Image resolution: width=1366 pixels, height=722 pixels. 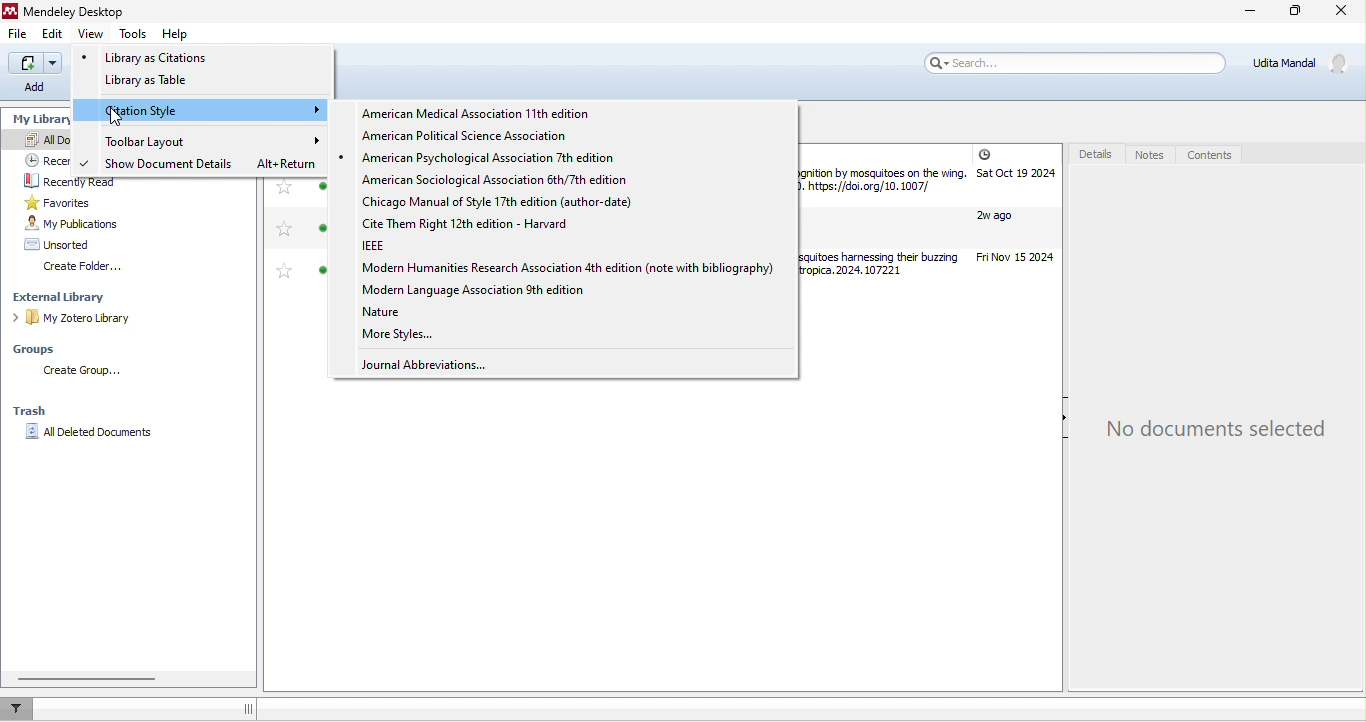 What do you see at coordinates (80, 180) in the screenshot?
I see `recently read` at bounding box center [80, 180].